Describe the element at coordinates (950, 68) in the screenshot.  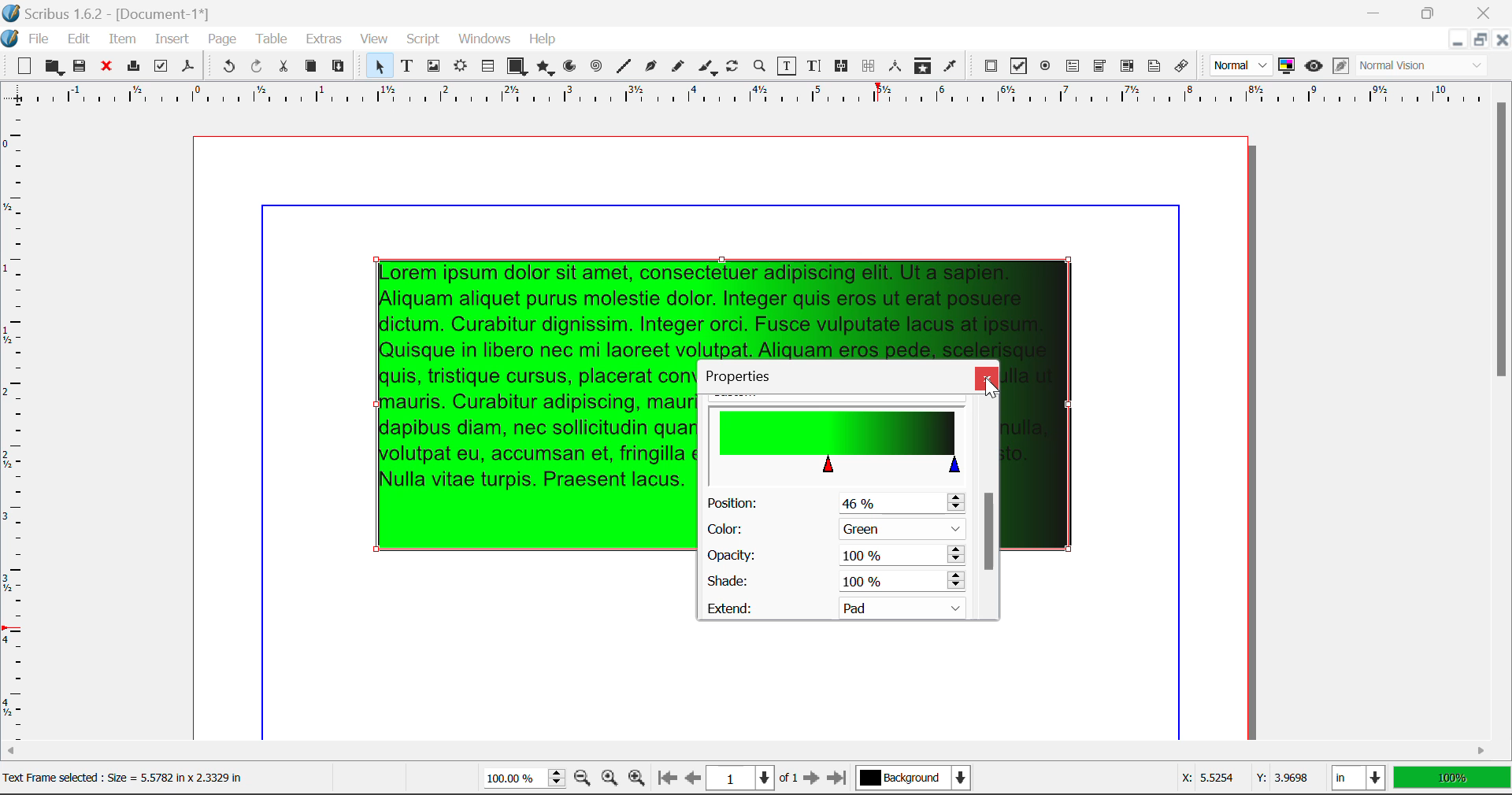
I see `Eyedropper` at that location.